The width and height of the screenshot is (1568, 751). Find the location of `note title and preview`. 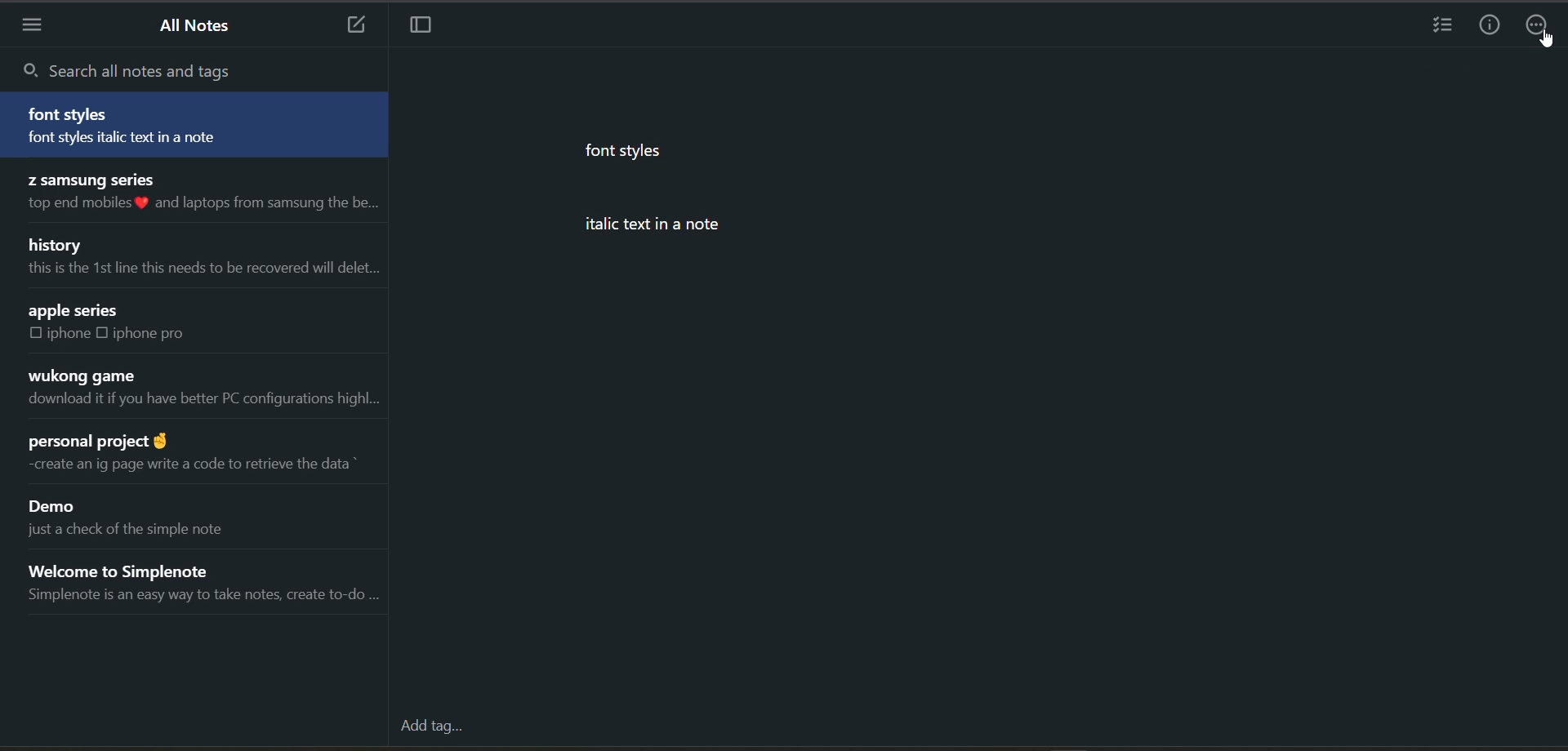

note title and preview is located at coordinates (197, 457).